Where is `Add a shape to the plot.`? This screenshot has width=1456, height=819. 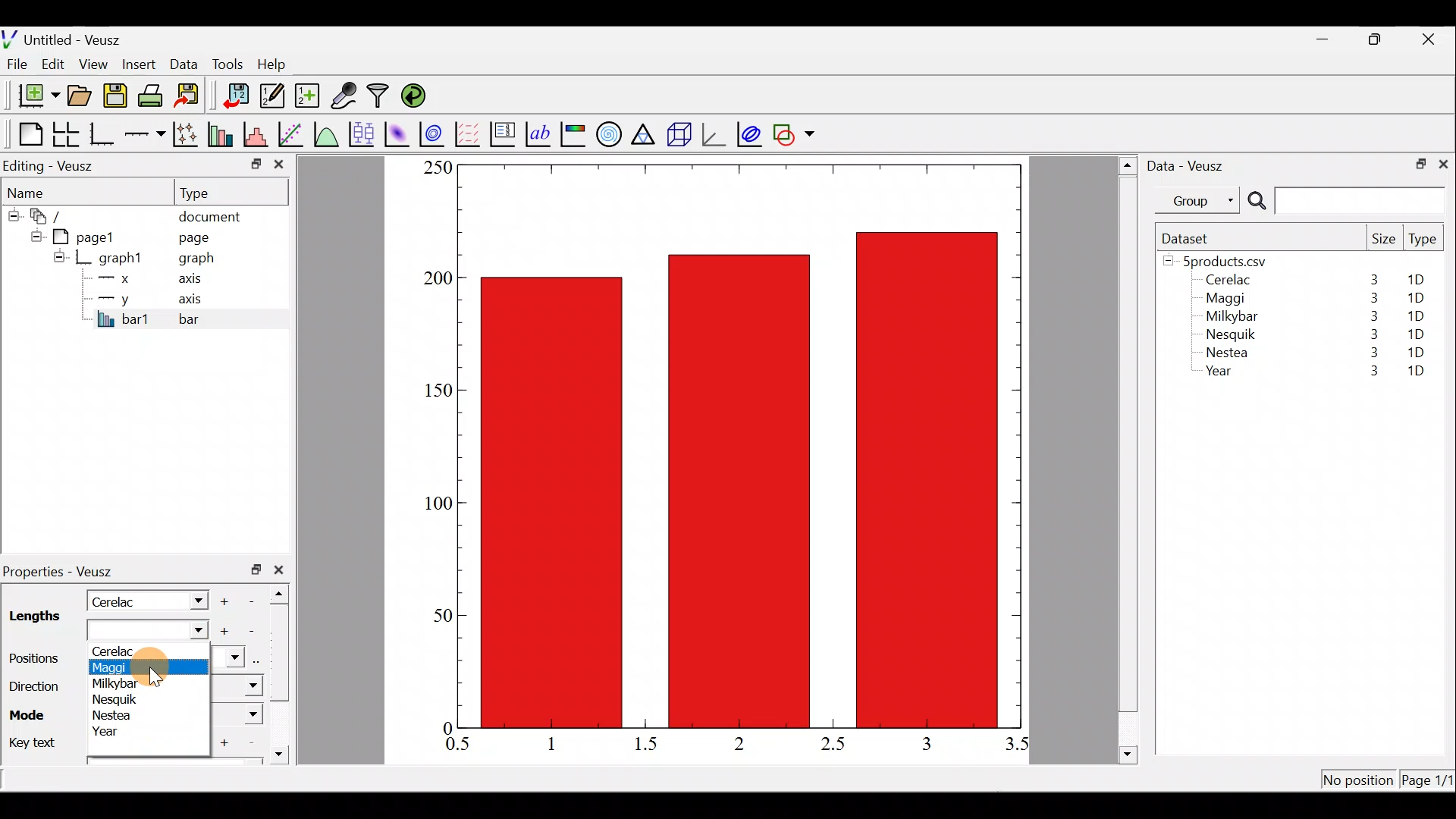 Add a shape to the plot. is located at coordinates (795, 132).